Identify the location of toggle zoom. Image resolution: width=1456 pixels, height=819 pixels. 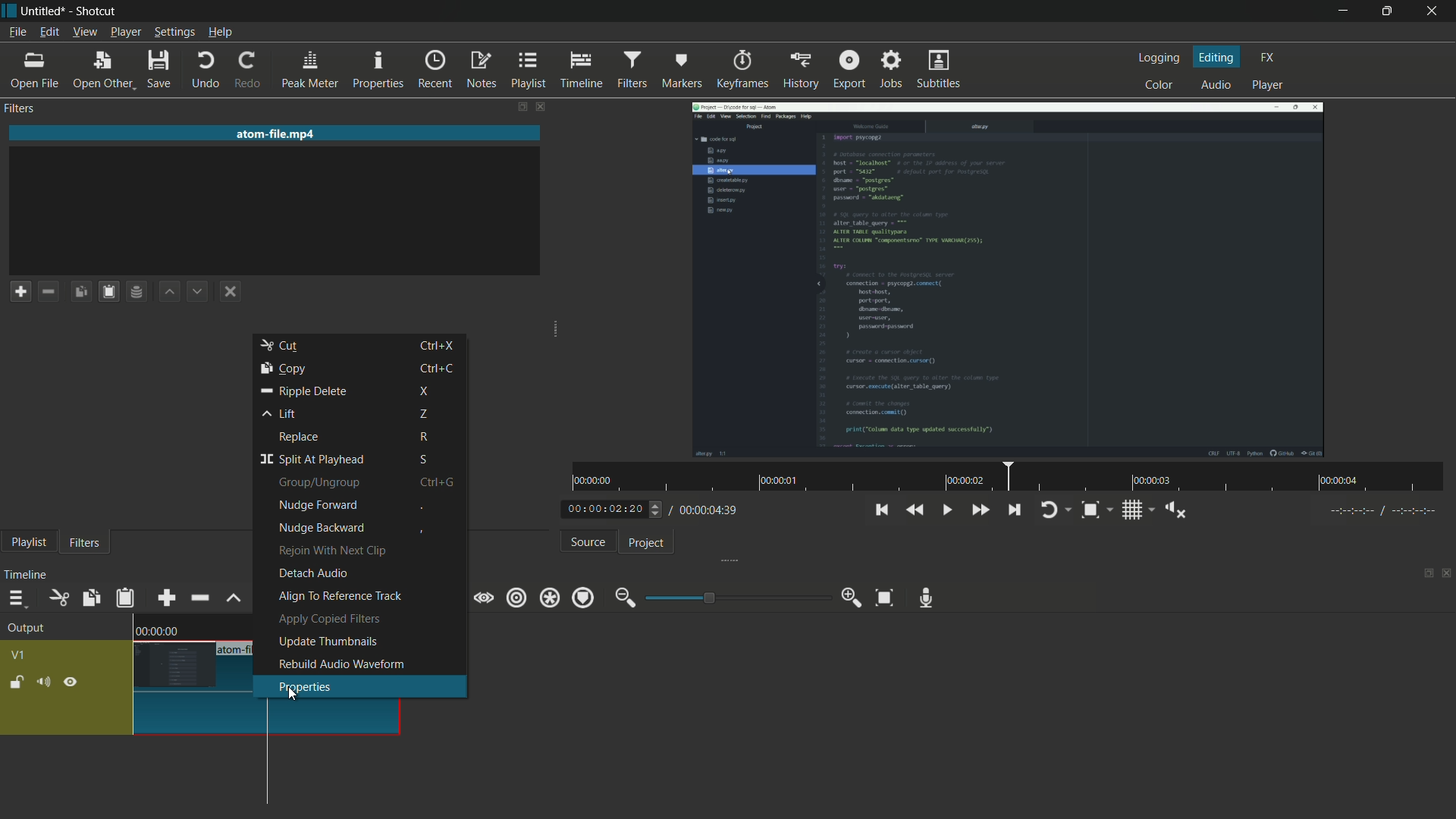
(1093, 510).